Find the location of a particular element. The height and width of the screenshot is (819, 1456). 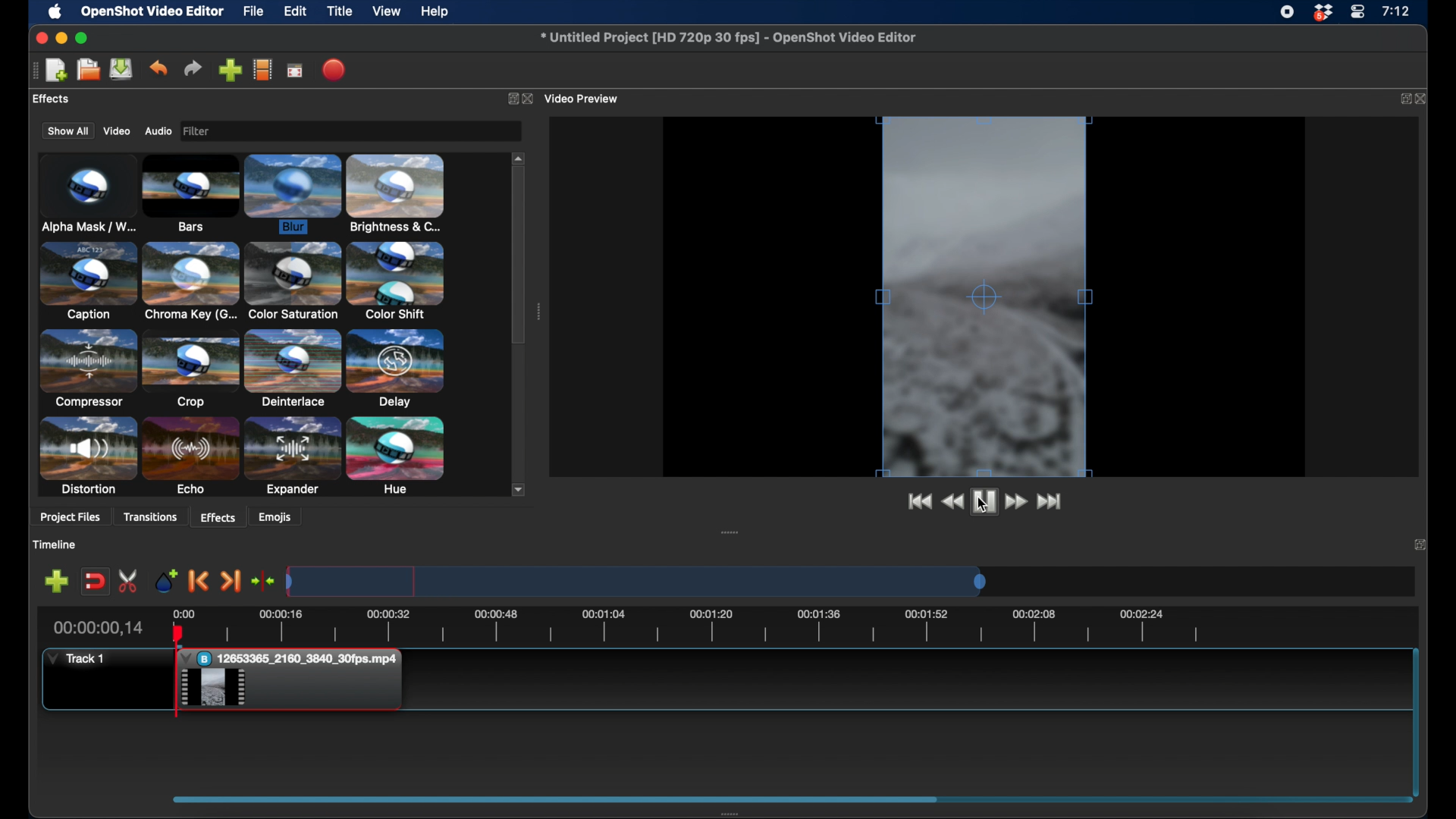

drag handle is located at coordinates (555, 798).